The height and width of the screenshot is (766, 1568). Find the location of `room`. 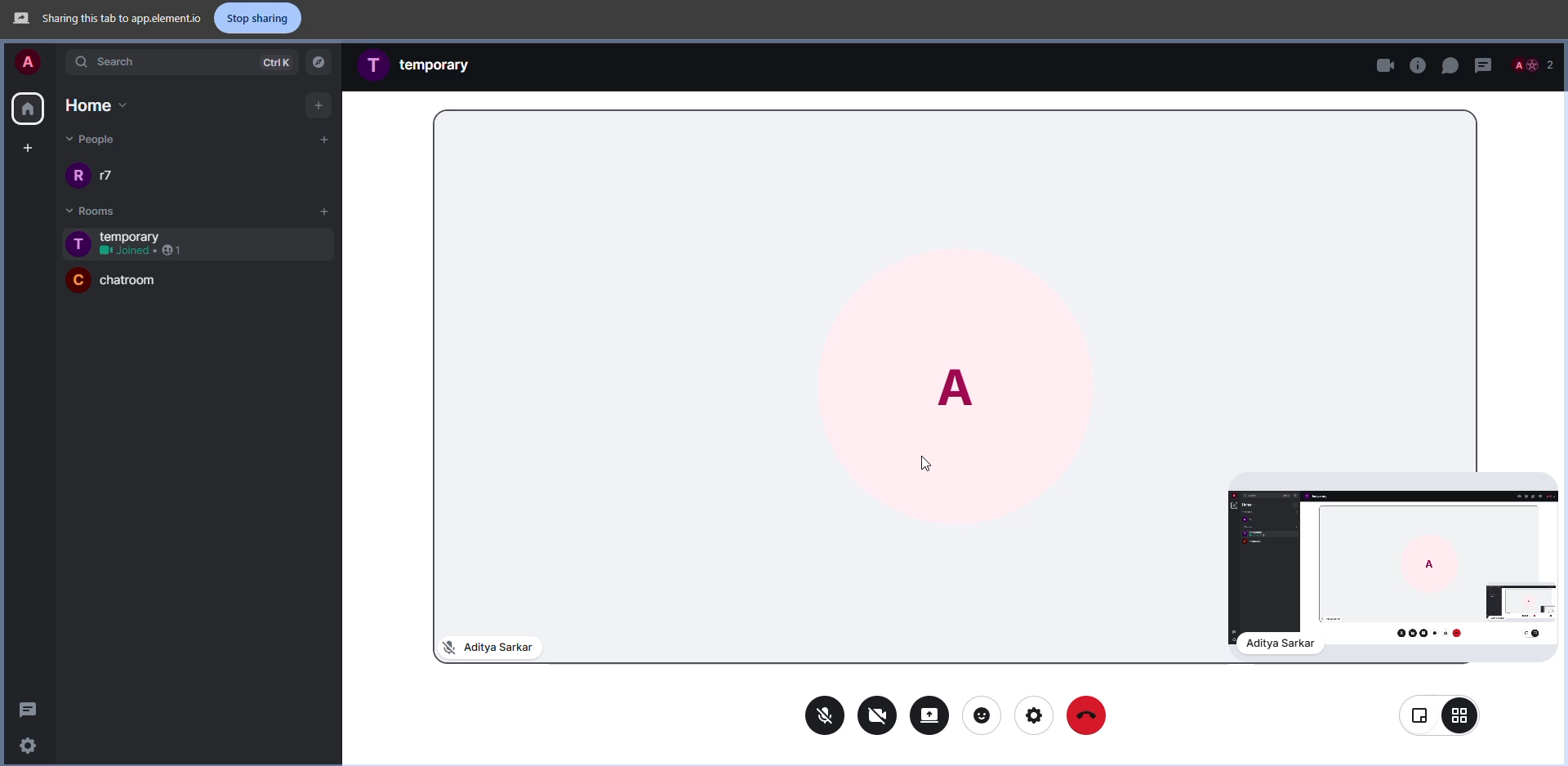

room is located at coordinates (140, 234).